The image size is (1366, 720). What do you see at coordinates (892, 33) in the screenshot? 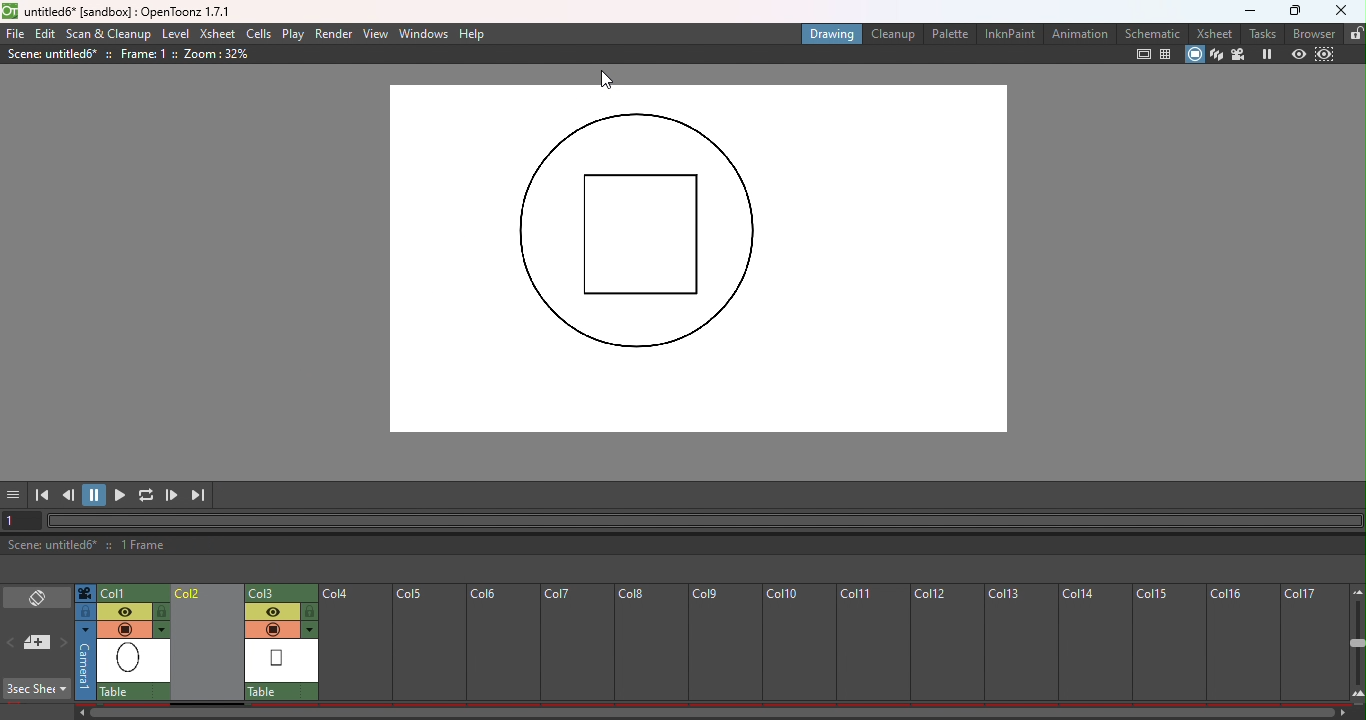
I see `Cleanup` at bounding box center [892, 33].